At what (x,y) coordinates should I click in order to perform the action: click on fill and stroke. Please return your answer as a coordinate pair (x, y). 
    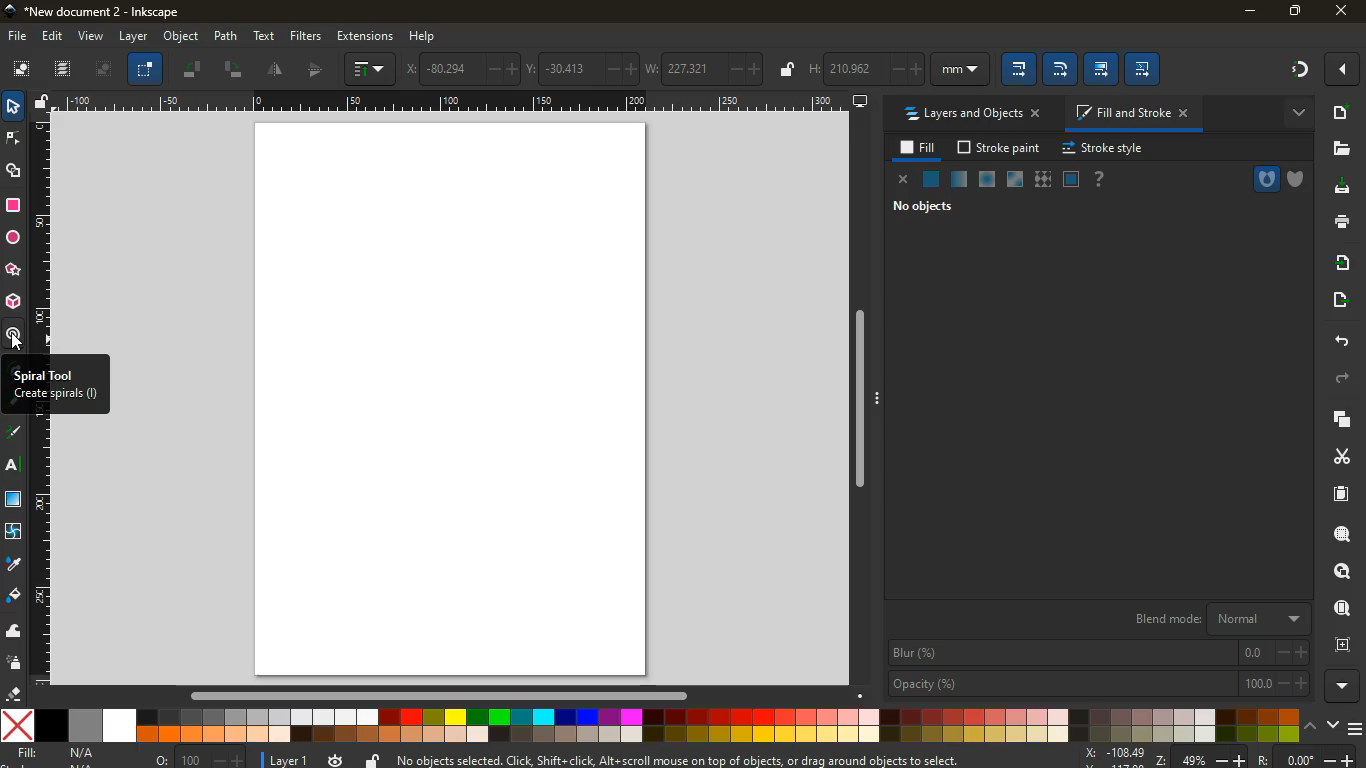
    Looking at the image, I should click on (1131, 114).